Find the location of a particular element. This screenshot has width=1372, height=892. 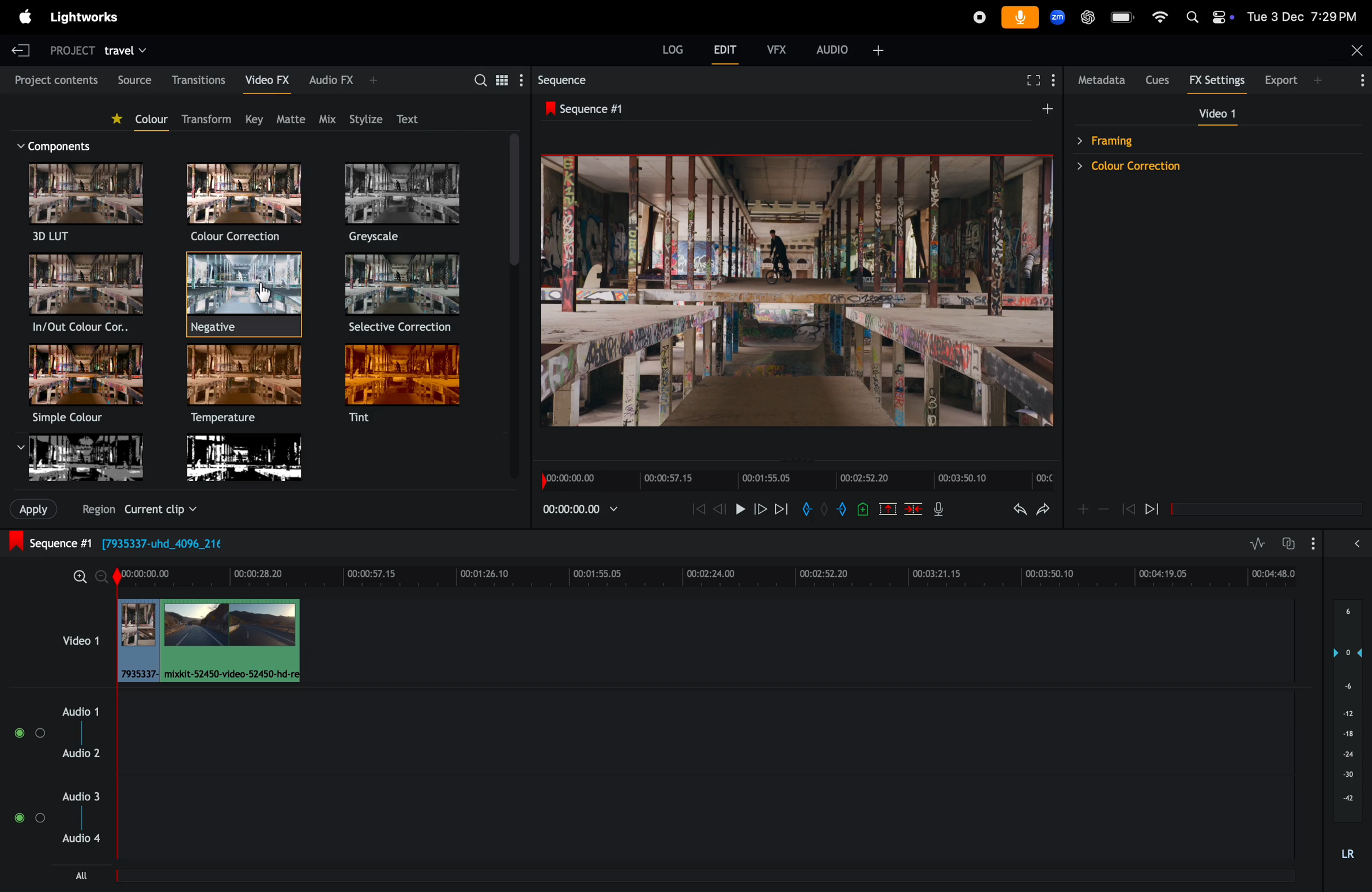

negative is located at coordinates (246, 296).